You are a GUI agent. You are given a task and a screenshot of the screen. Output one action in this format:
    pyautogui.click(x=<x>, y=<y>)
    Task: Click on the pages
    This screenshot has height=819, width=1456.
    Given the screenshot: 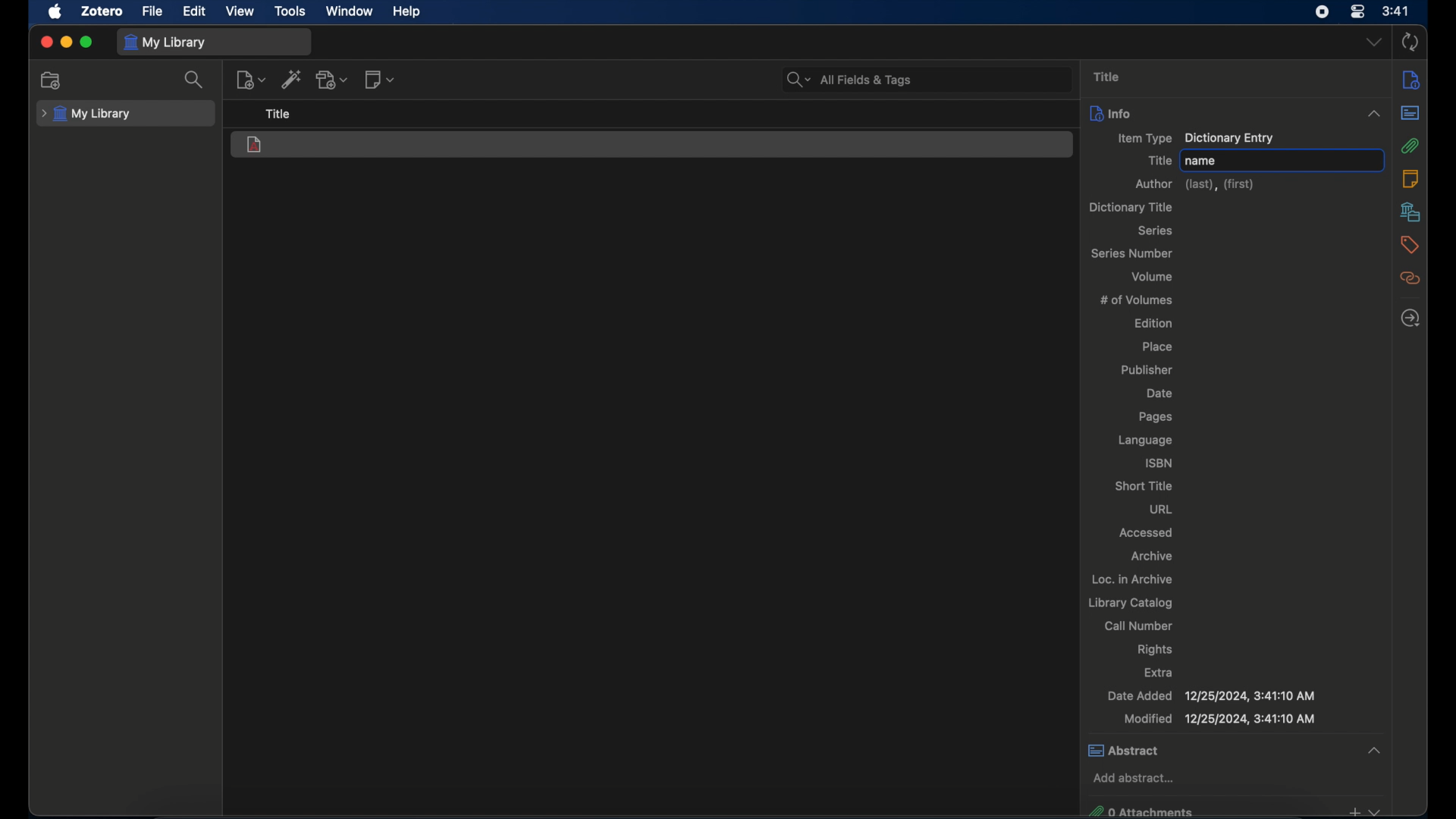 What is the action you would take?
    pyautogui.click(x=1155, y=417)
    